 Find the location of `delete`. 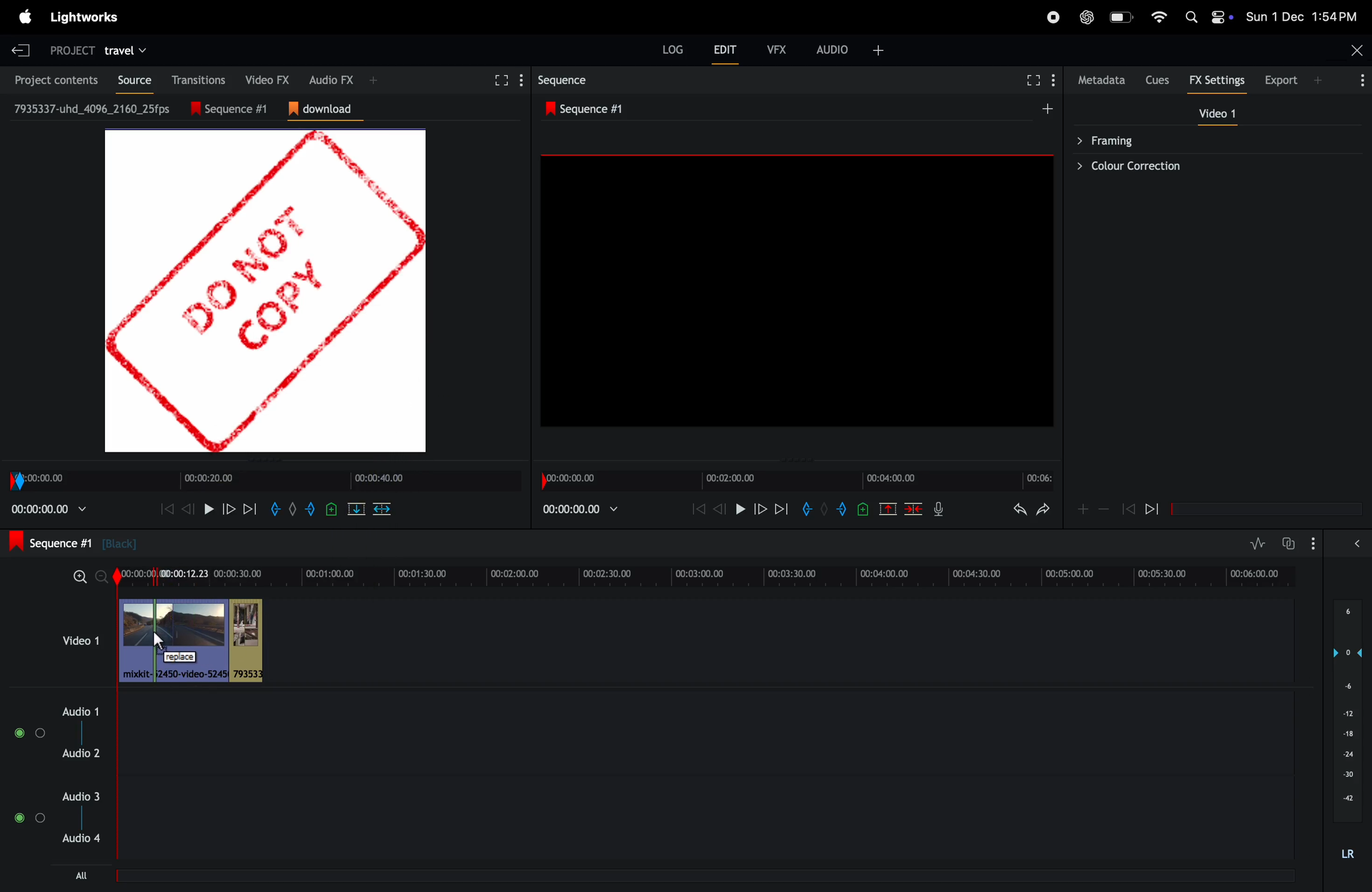

delete is located at coordinates (382, 509).